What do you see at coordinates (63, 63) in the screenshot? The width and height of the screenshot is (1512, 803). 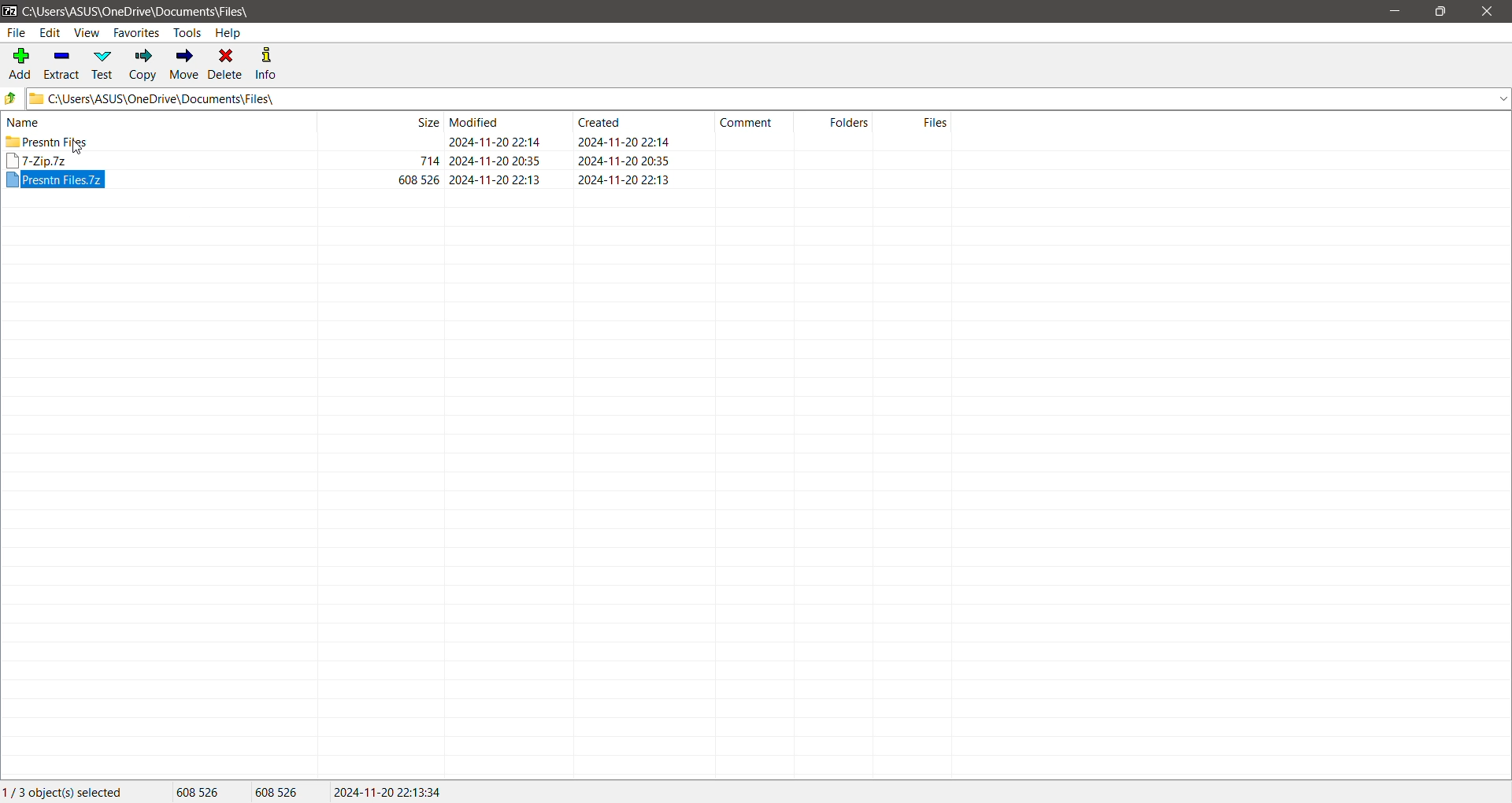 I see `Extract` at bounding box center [63, 63].